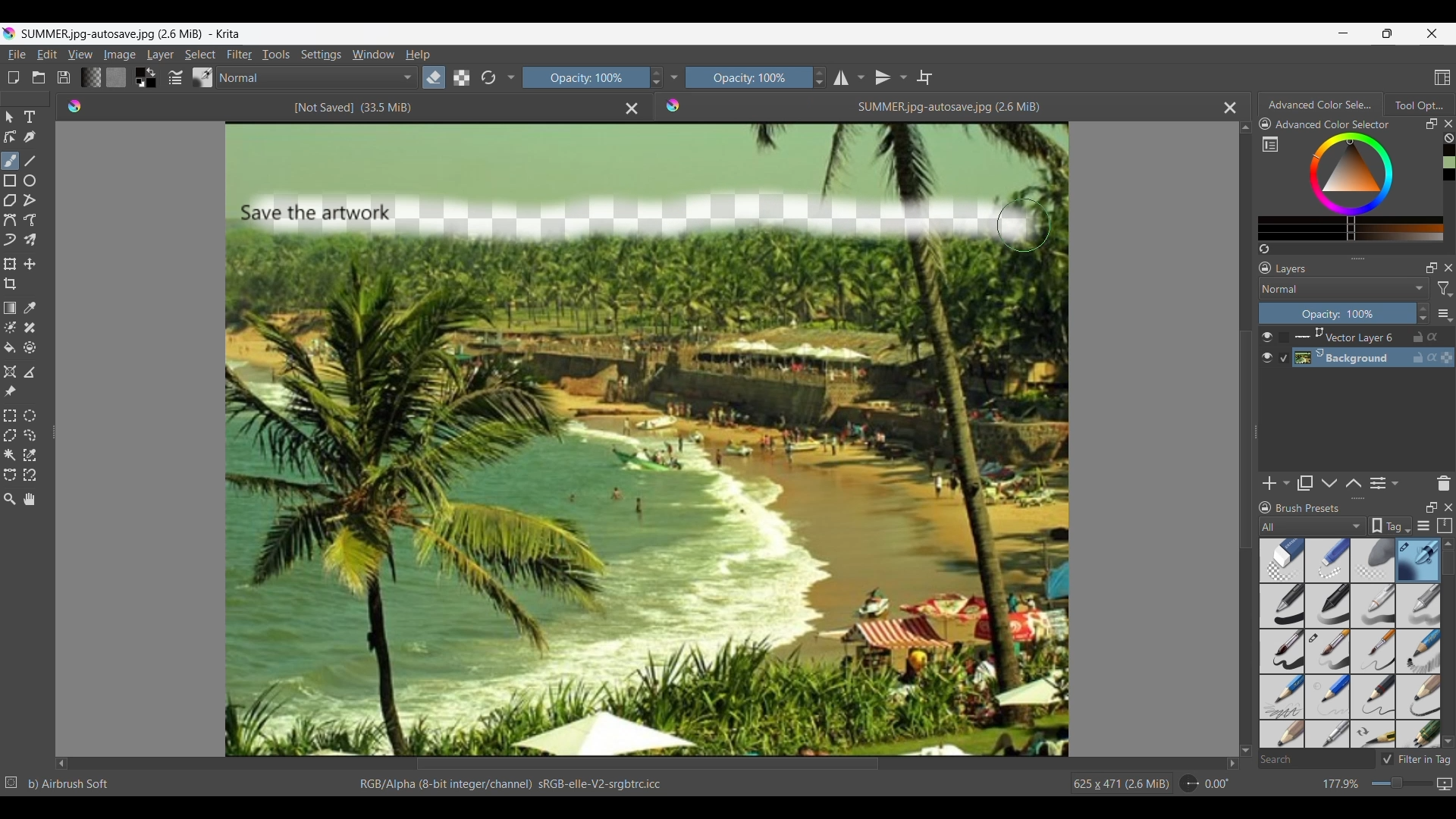 The width and height of the screenshot is (1456, 819). Describe the element at coordinates (1342, 784) in the screenshot. I see `177.9%` at that location.